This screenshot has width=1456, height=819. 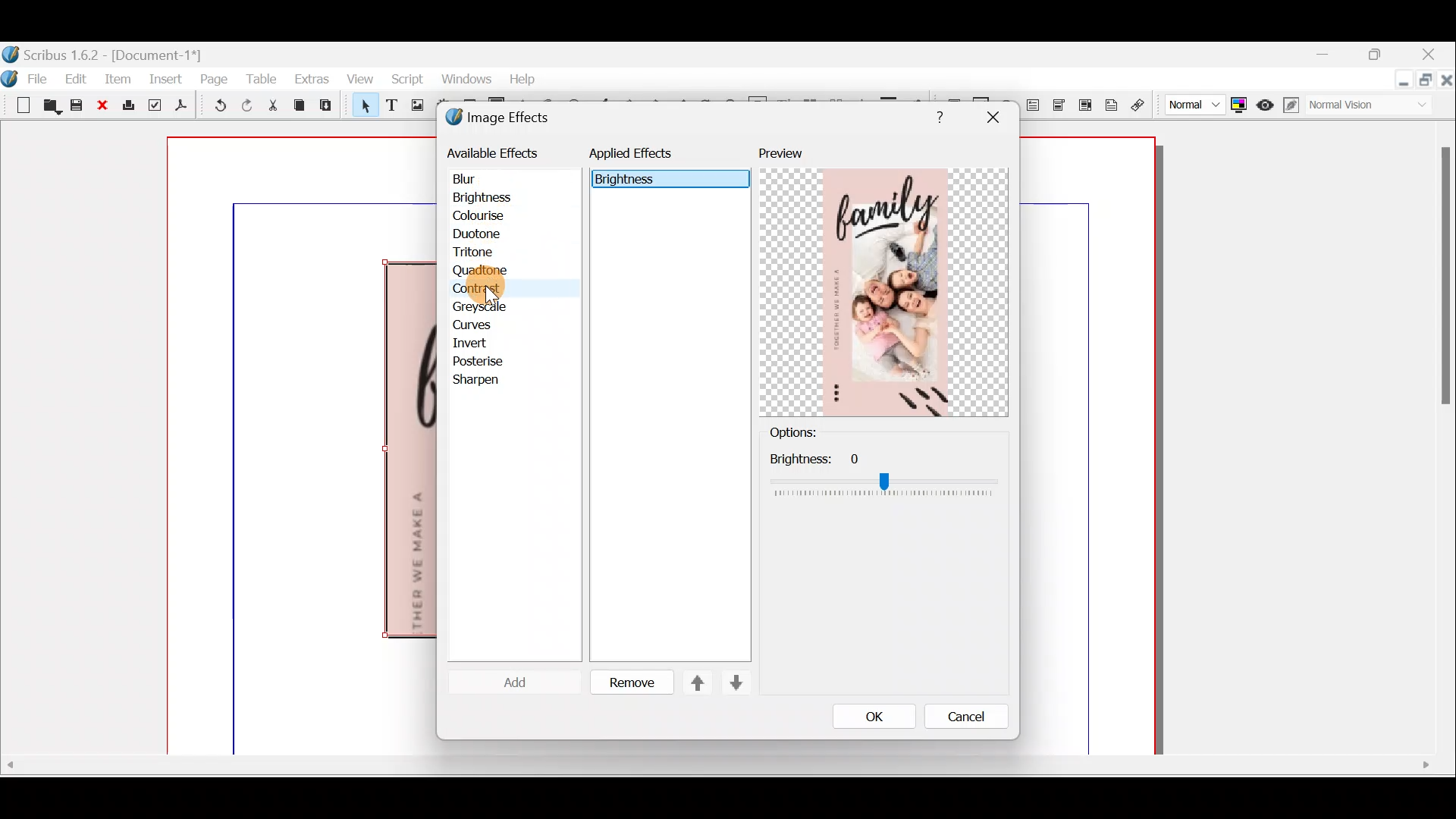 I want to click on Help, so click(x=524, y=79).